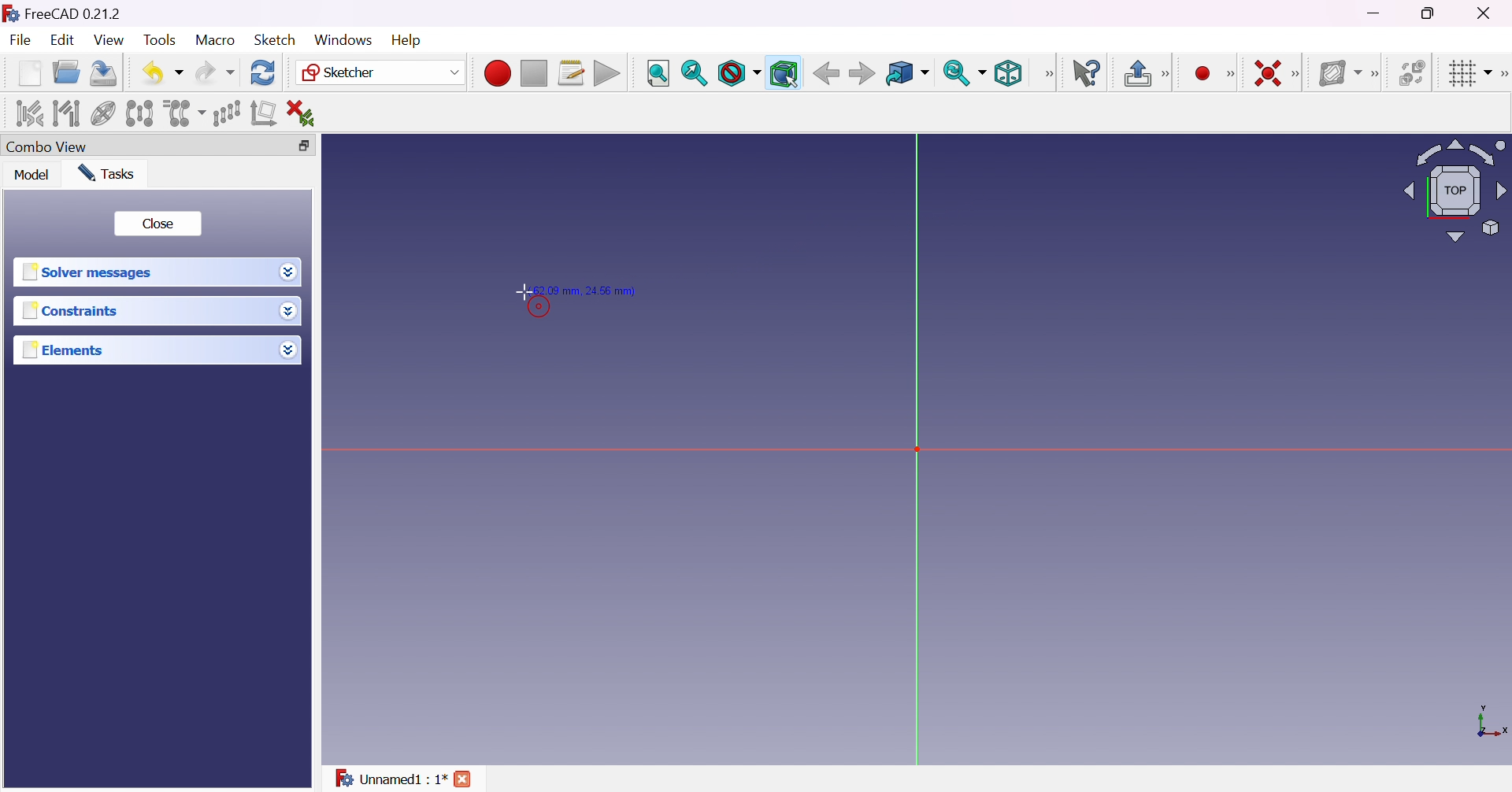  What do you see at coordinates (532, 74) in the screenshot?
I see `Stop macro recording` at bounding box center [532, 74].